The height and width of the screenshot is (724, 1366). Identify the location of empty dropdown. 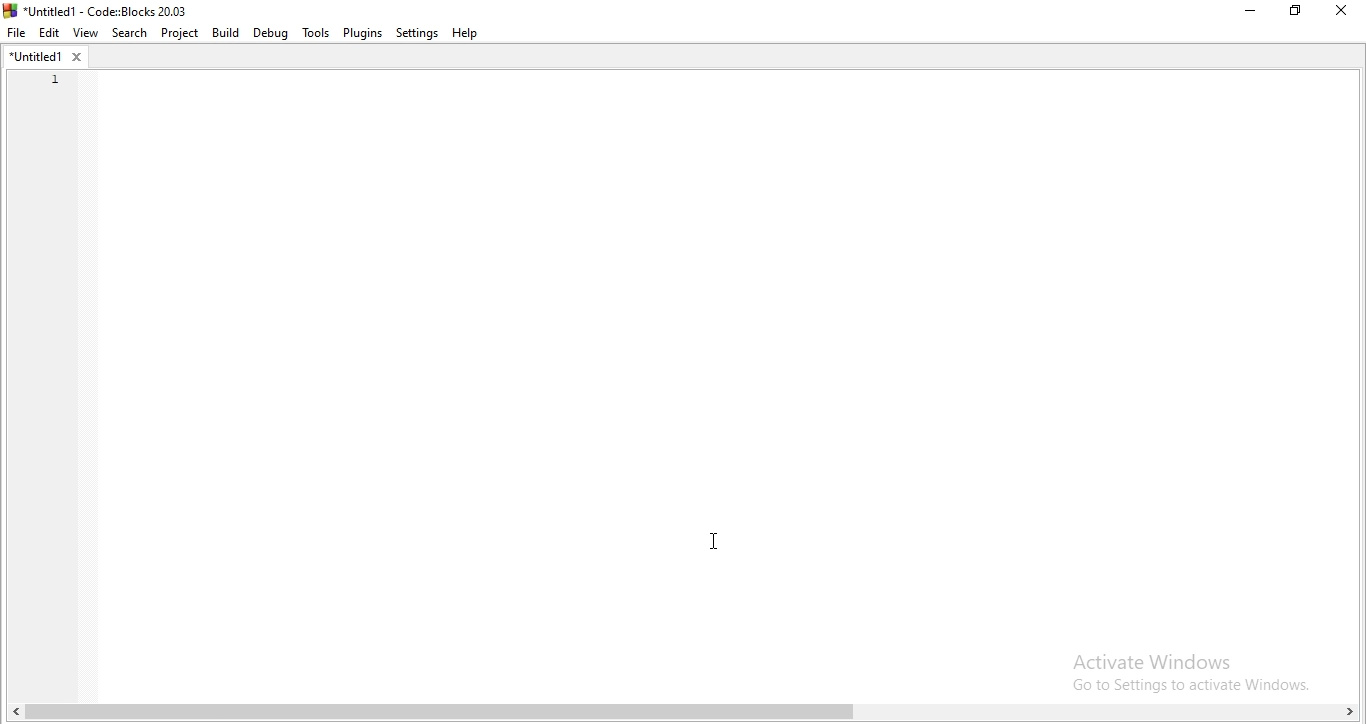
(1161, 57).